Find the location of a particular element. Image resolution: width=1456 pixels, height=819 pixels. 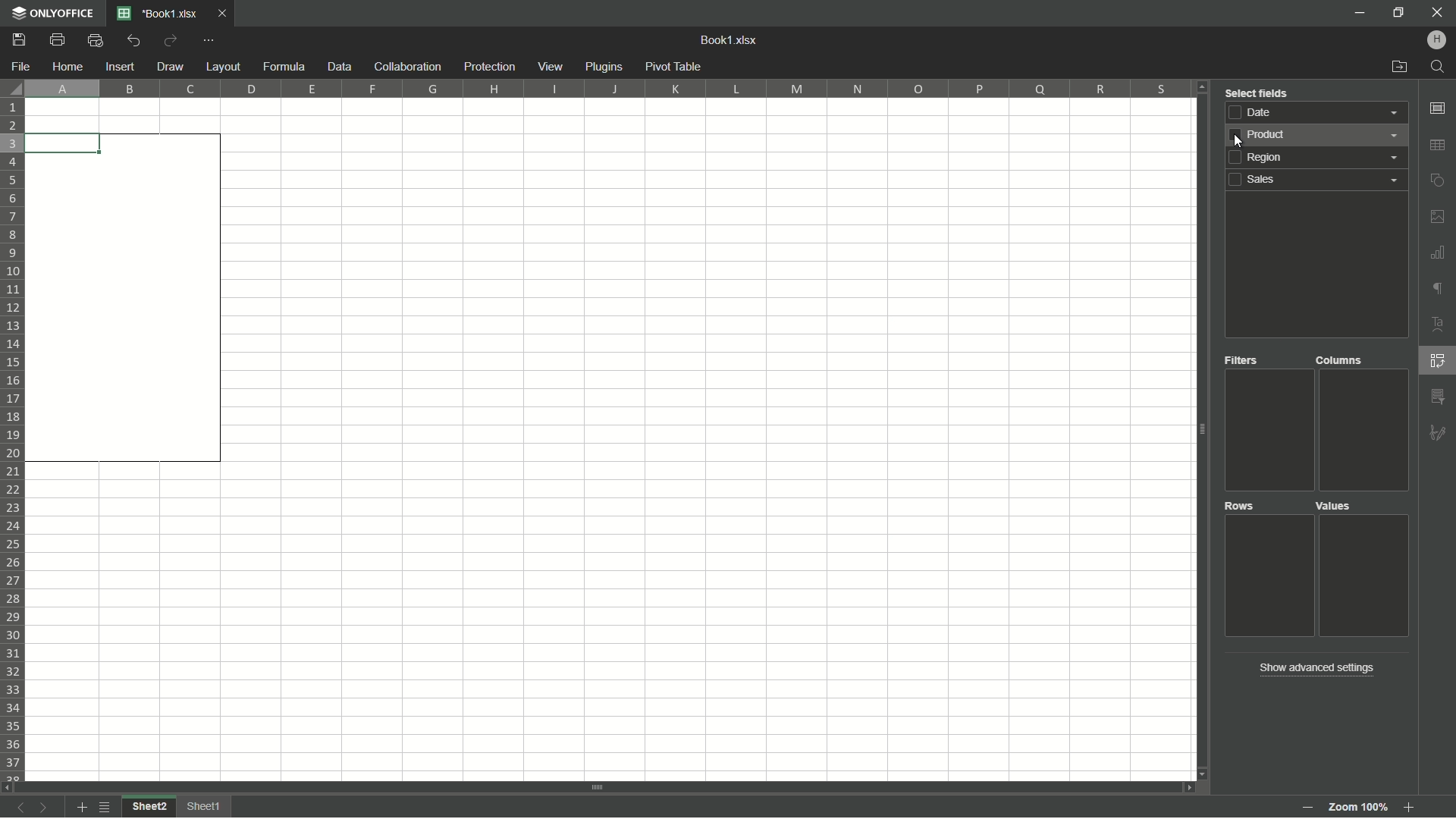

insert table is located at coordinates (1439, 146).